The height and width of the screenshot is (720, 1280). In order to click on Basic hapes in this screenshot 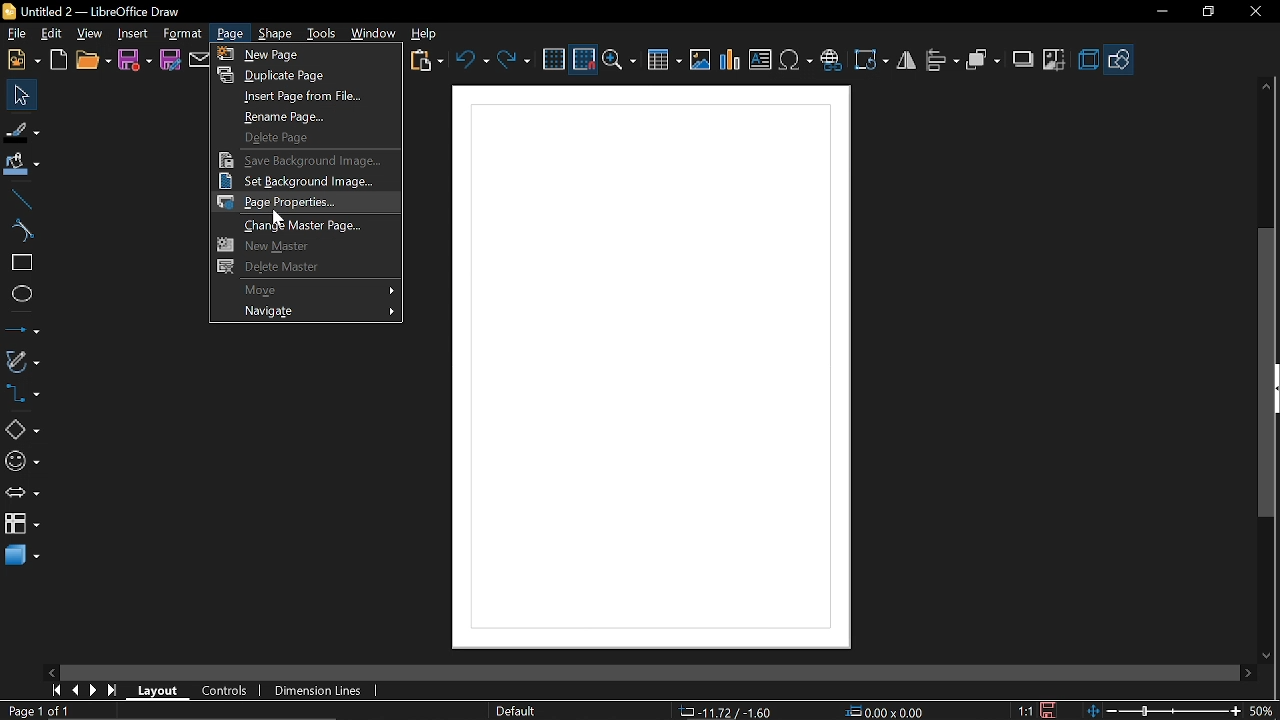, I will do `click(1120, 59)`.